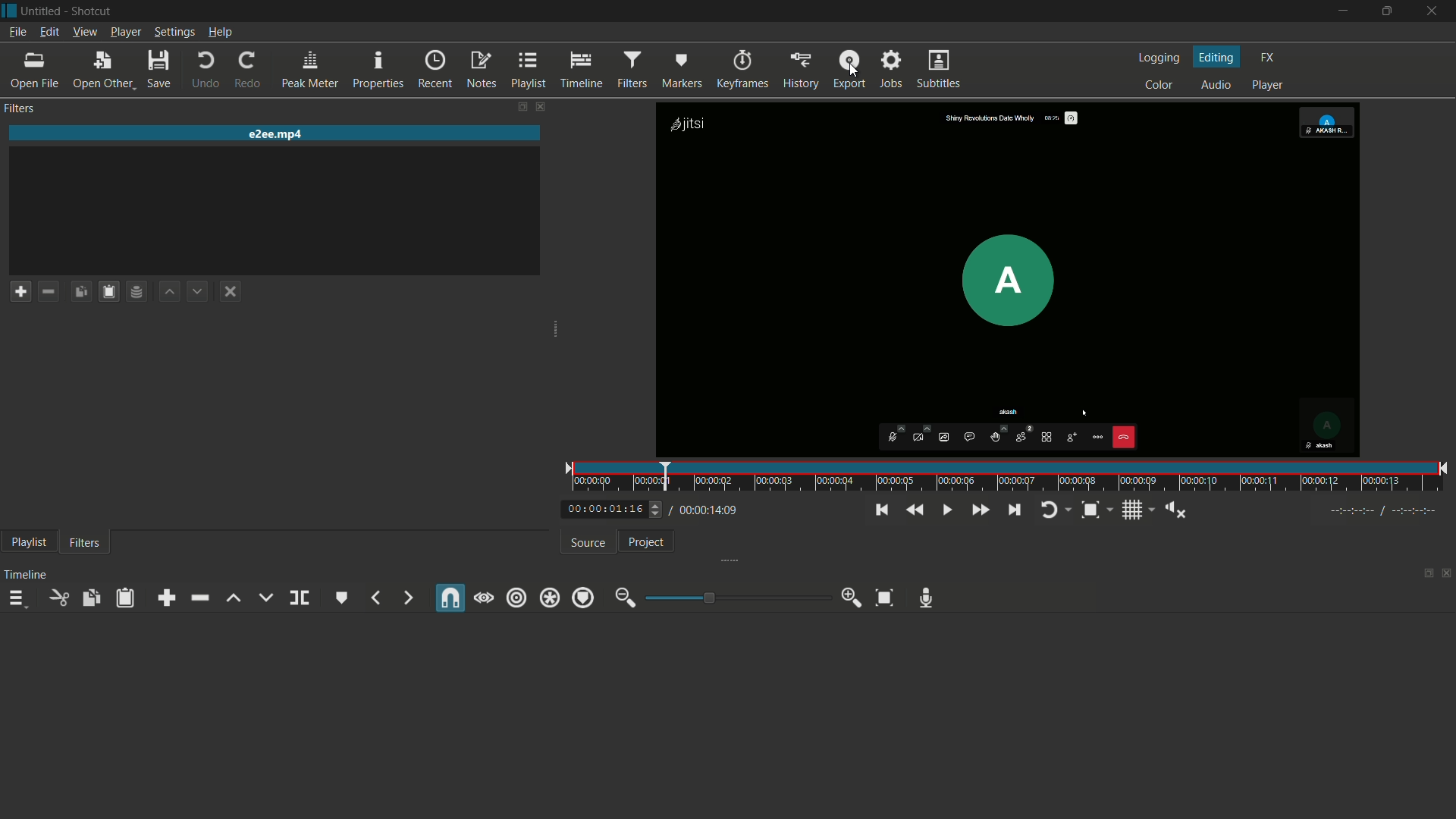 The width and height of the screenshot is (1456, 819). I want to click on save, so click(158, 70).